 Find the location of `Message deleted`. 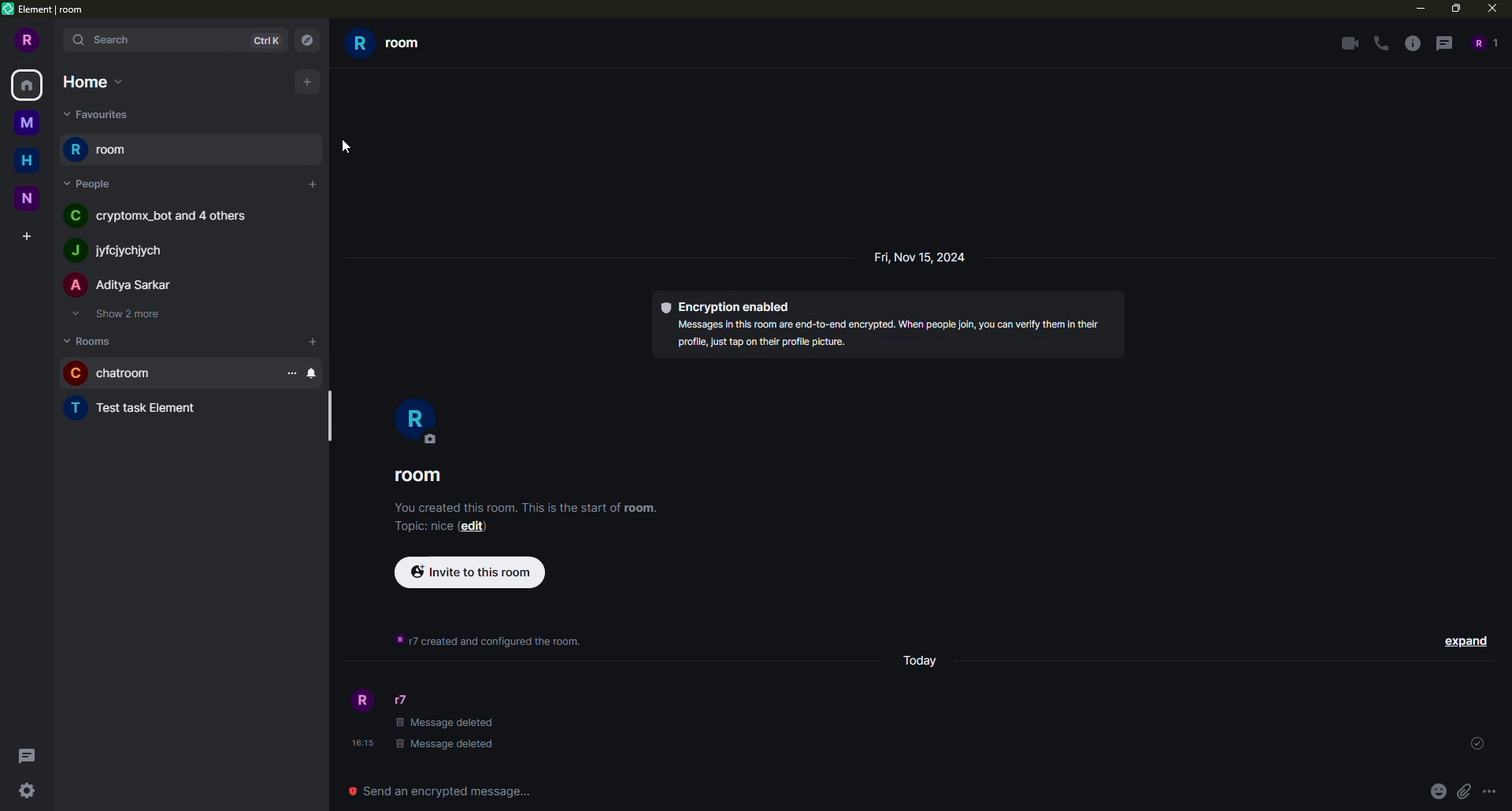

Message deleted is located at coordinates (443, 724).